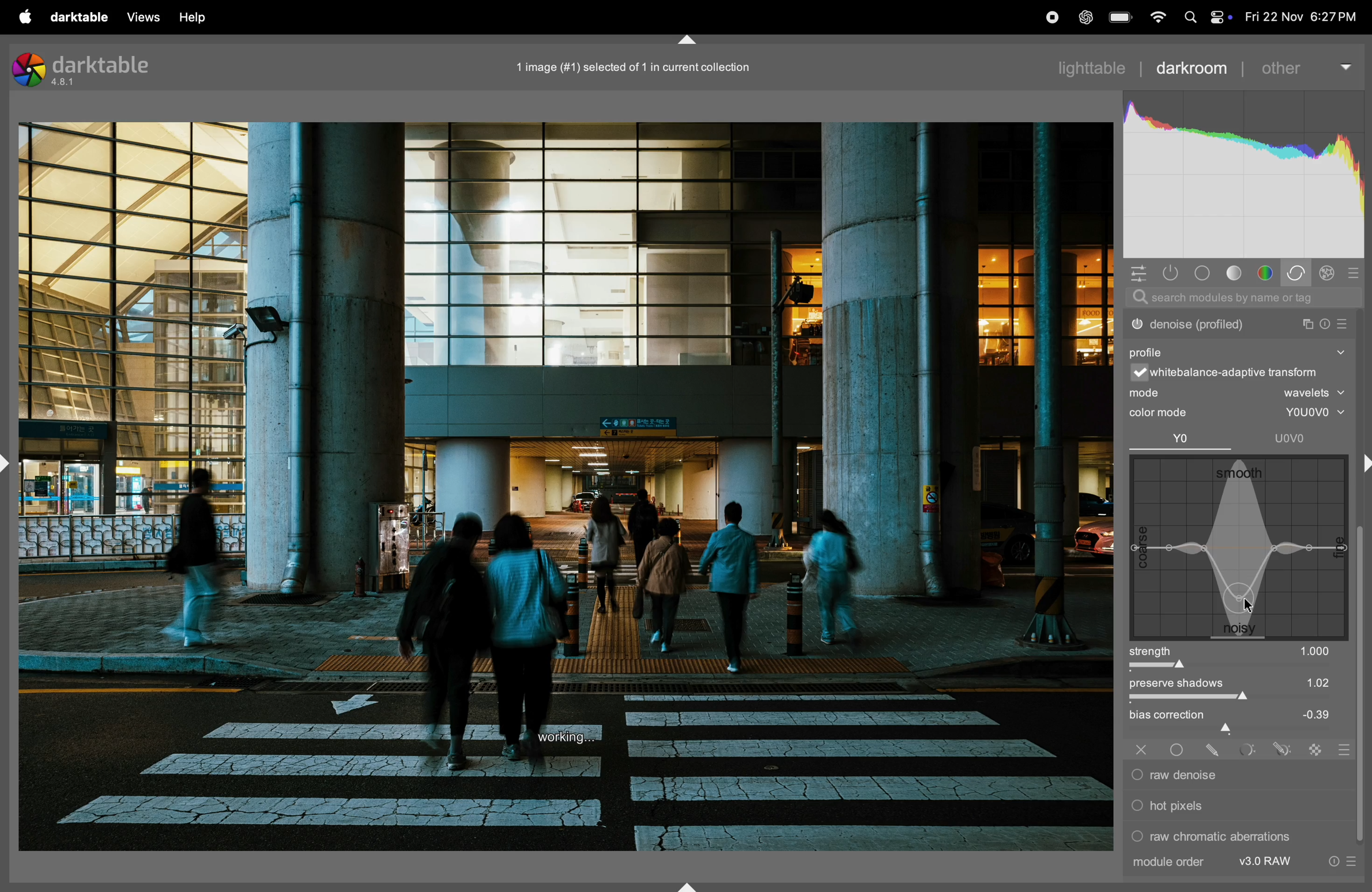 The height and width of the screenshot is (892, 1372). What do you see at coordinates (1354, 274) in the screenshot?
I see `presets` at bounding box center [1354, 274].